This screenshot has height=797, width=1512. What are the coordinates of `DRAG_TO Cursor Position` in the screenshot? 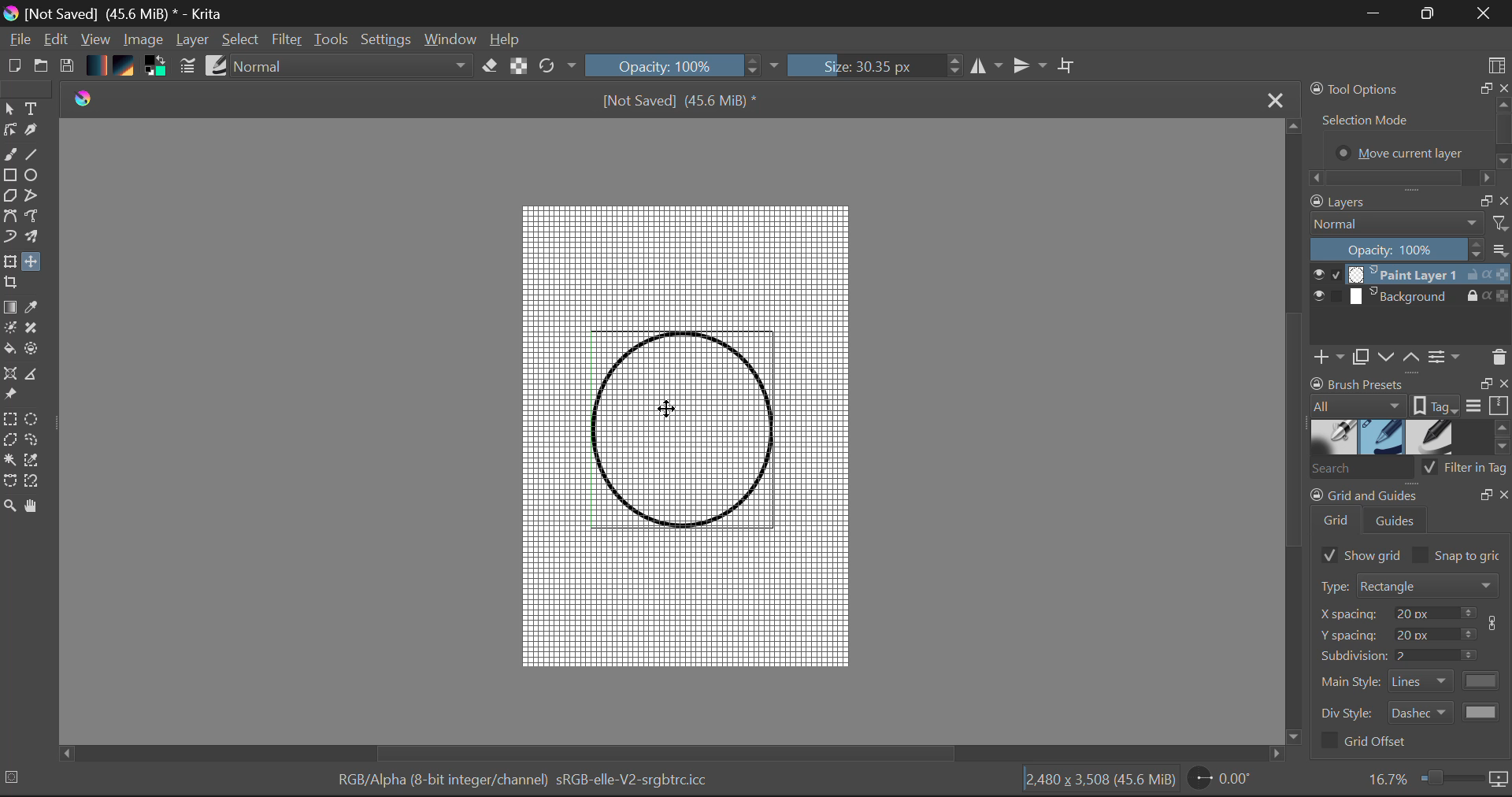 It's located at (672, 410).